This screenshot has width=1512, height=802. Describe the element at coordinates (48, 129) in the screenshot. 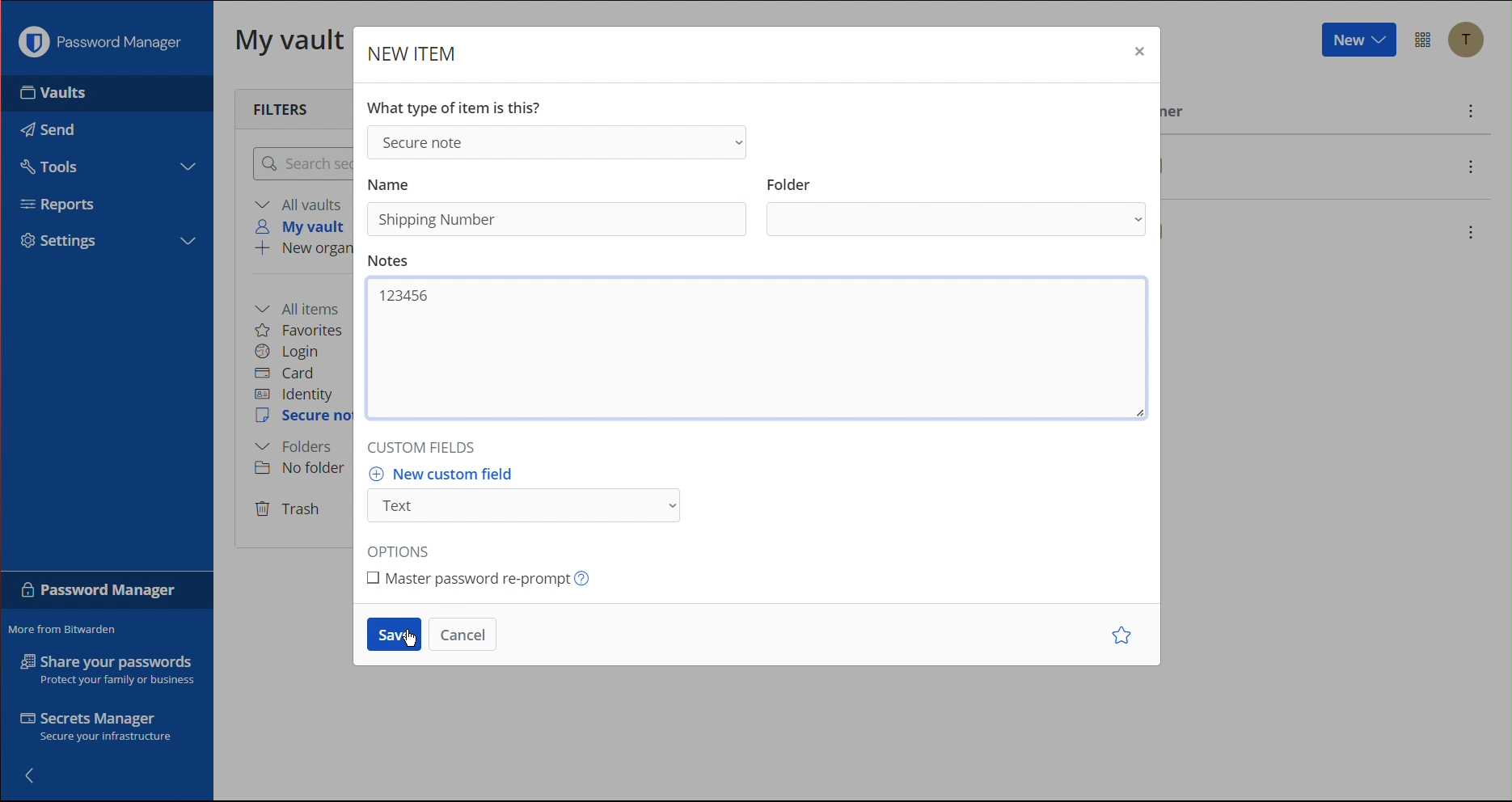

I see `Send` at that location.